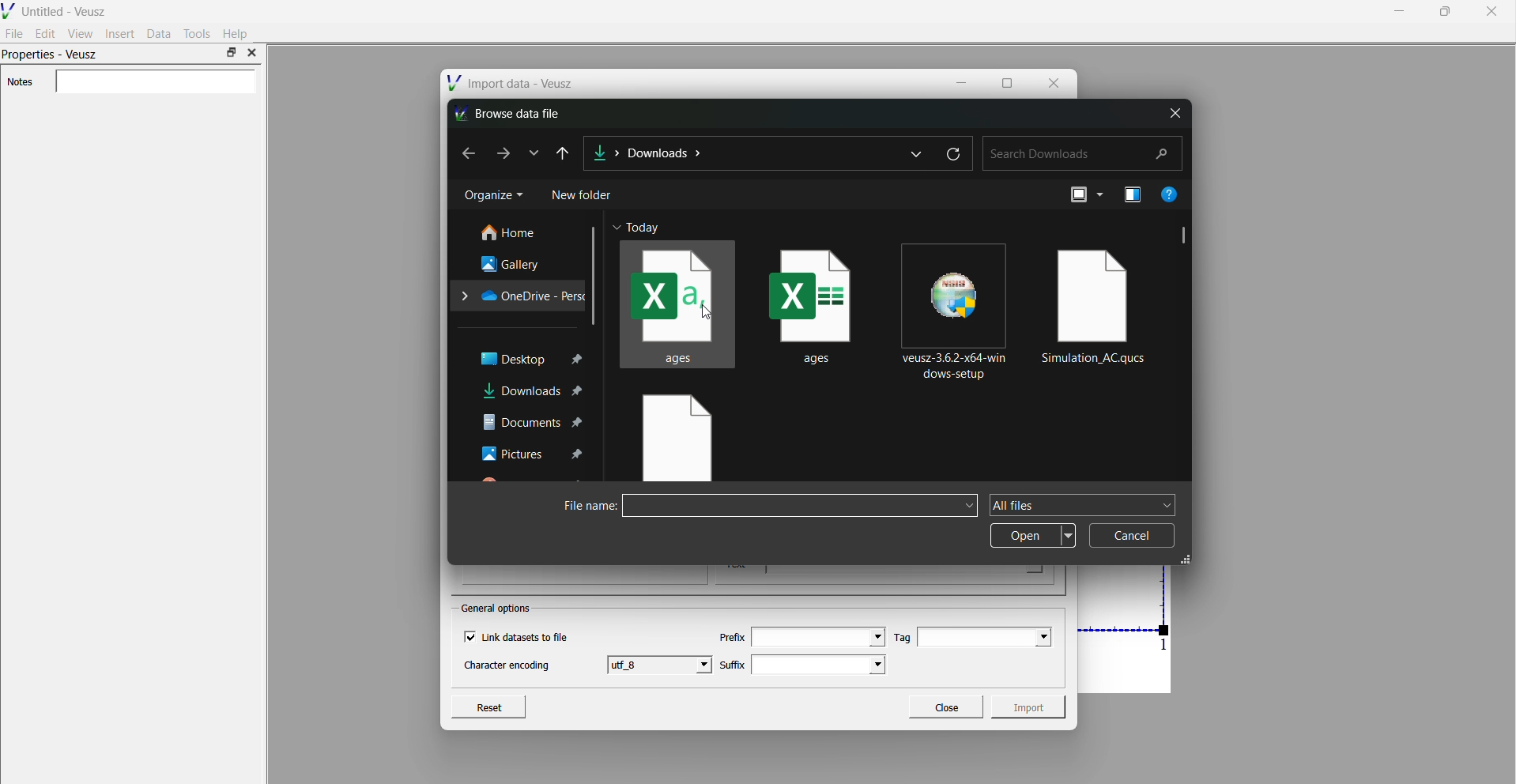 This screenshot has width=1516, height=784. Describe the element at coordinates (120, 33) in the screenshot. I see `Insert` at that location.